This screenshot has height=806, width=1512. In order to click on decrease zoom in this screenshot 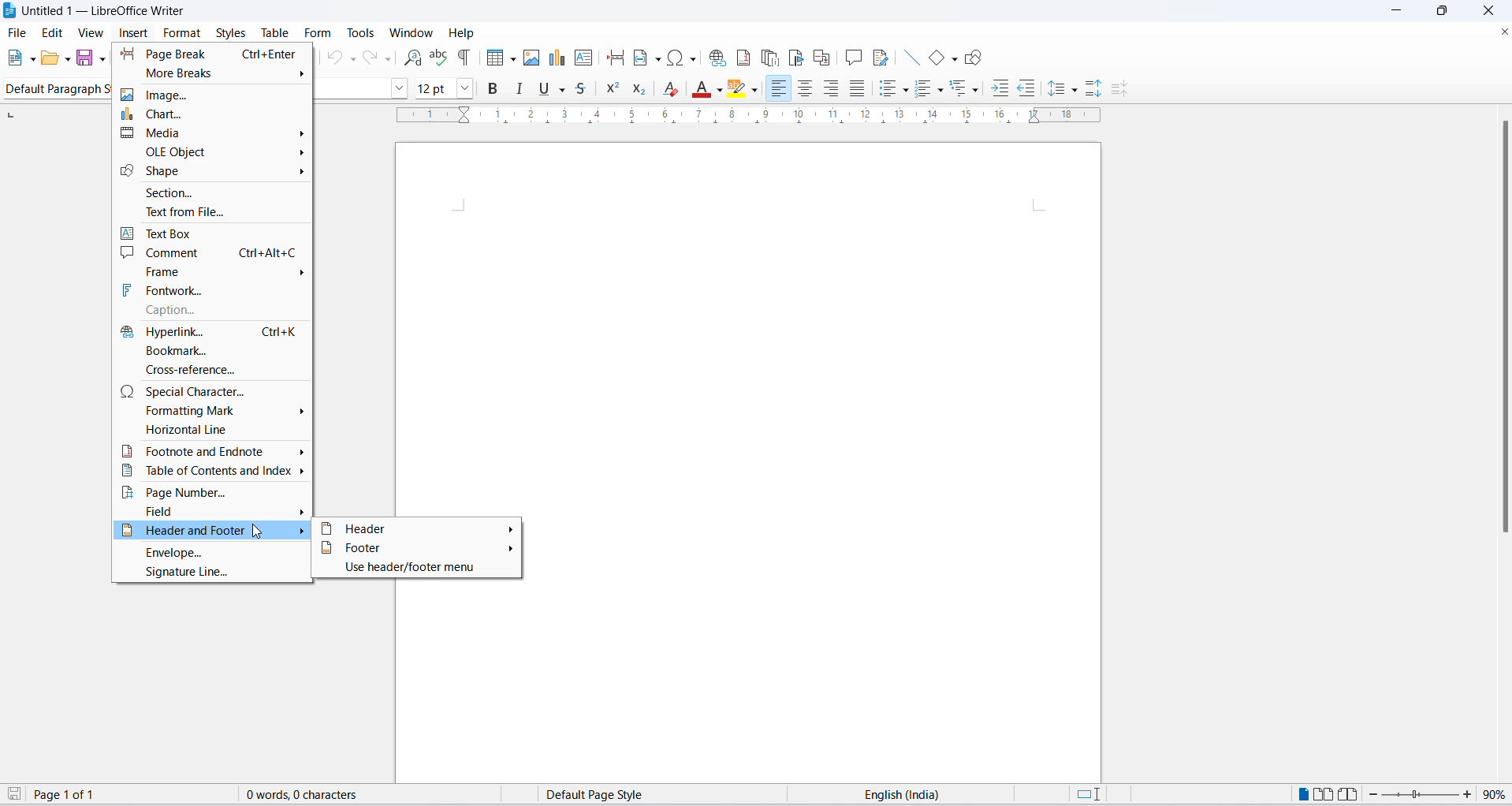, I will do `click(1371, 795)`.